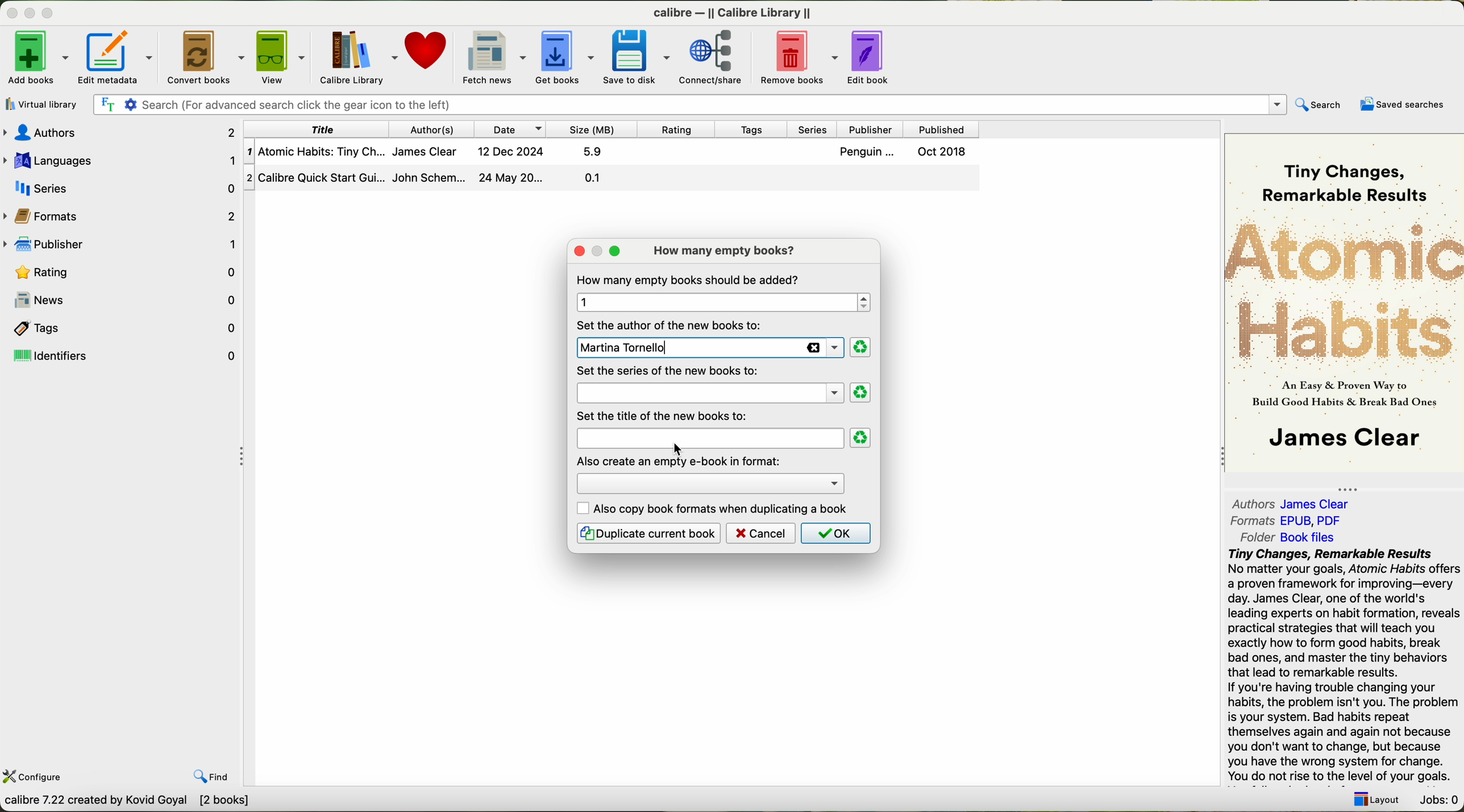  Describe the element at coordinates (795, 58) in the screenshot. I see `remove books` at that location.